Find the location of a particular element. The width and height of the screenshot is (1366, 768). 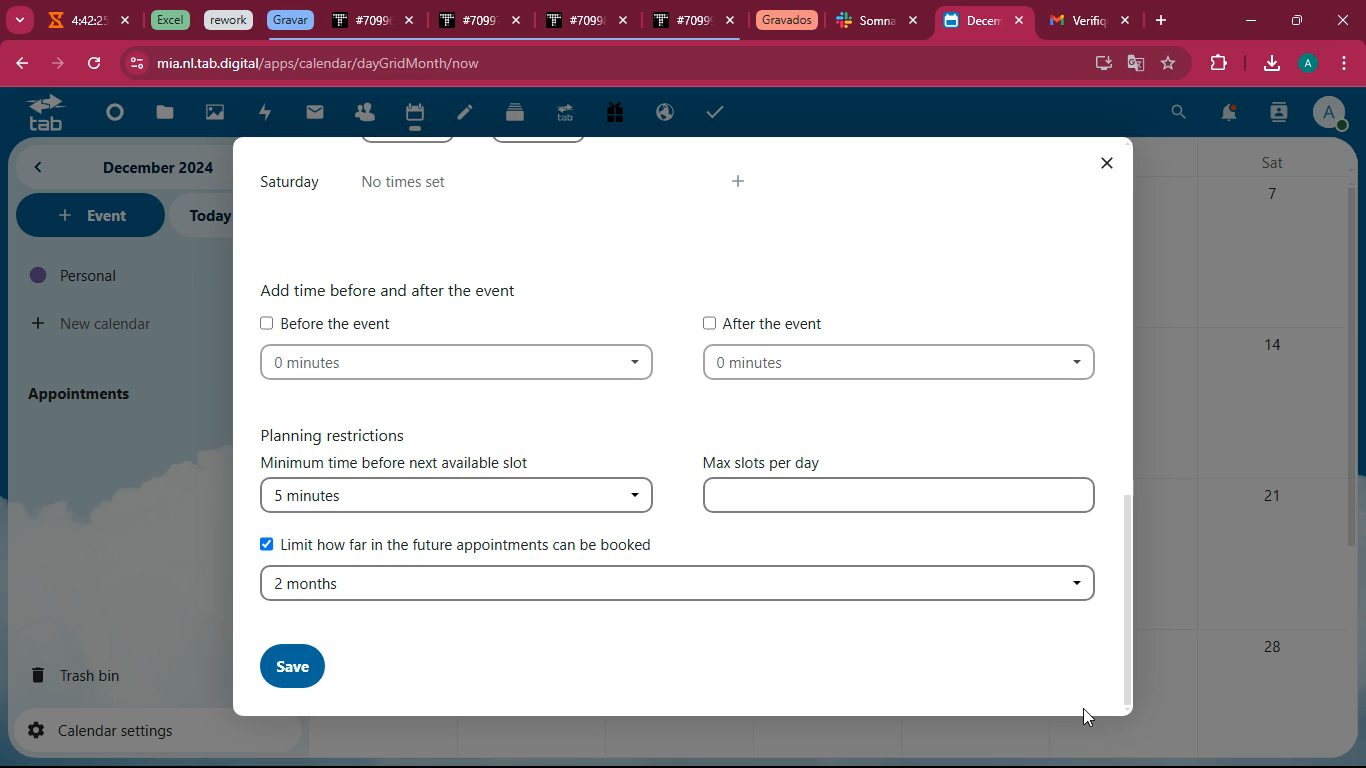

close is located at coordinates (411, 23).